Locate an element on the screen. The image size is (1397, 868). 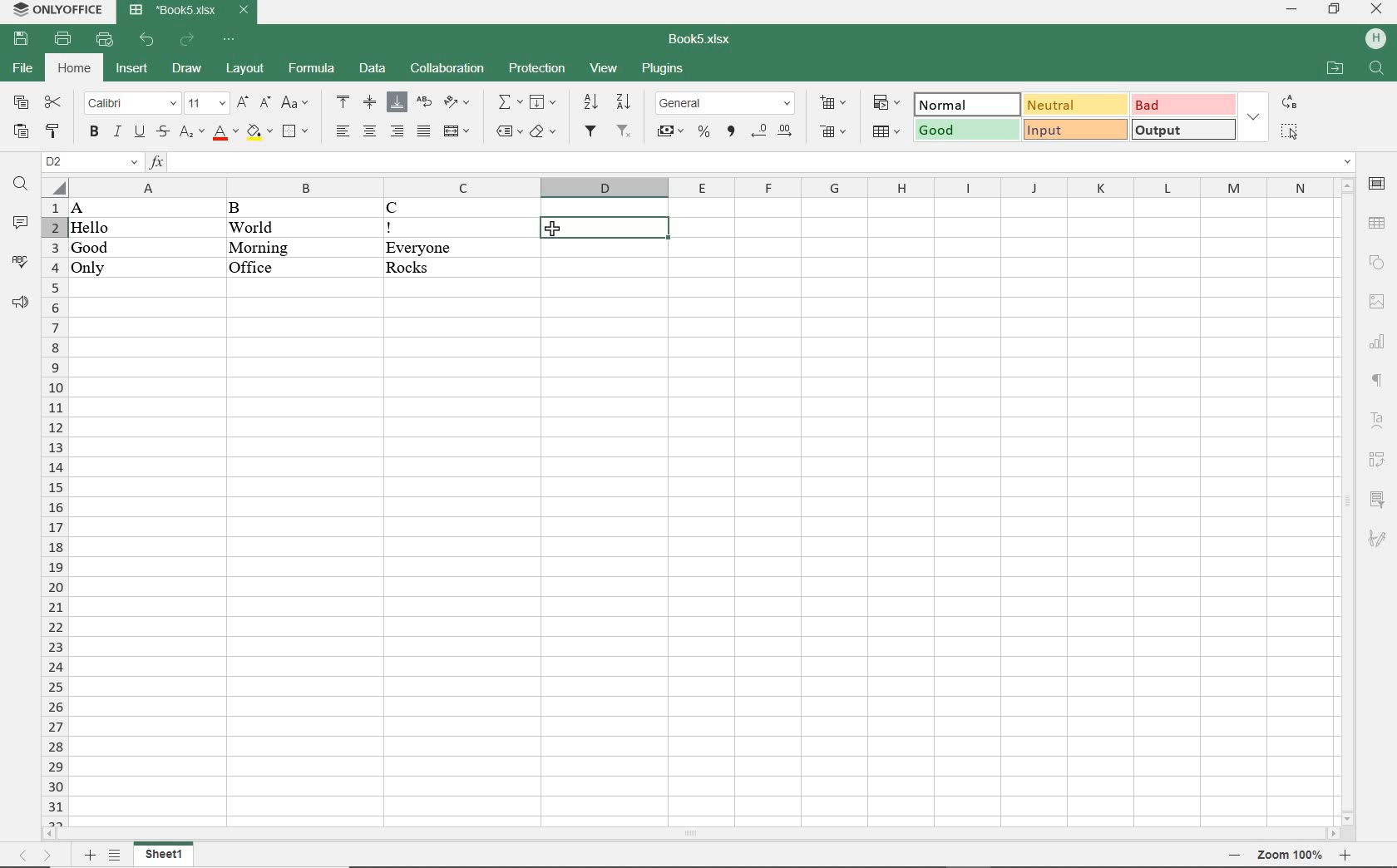
align bottom is located at coordinates (398, 102).